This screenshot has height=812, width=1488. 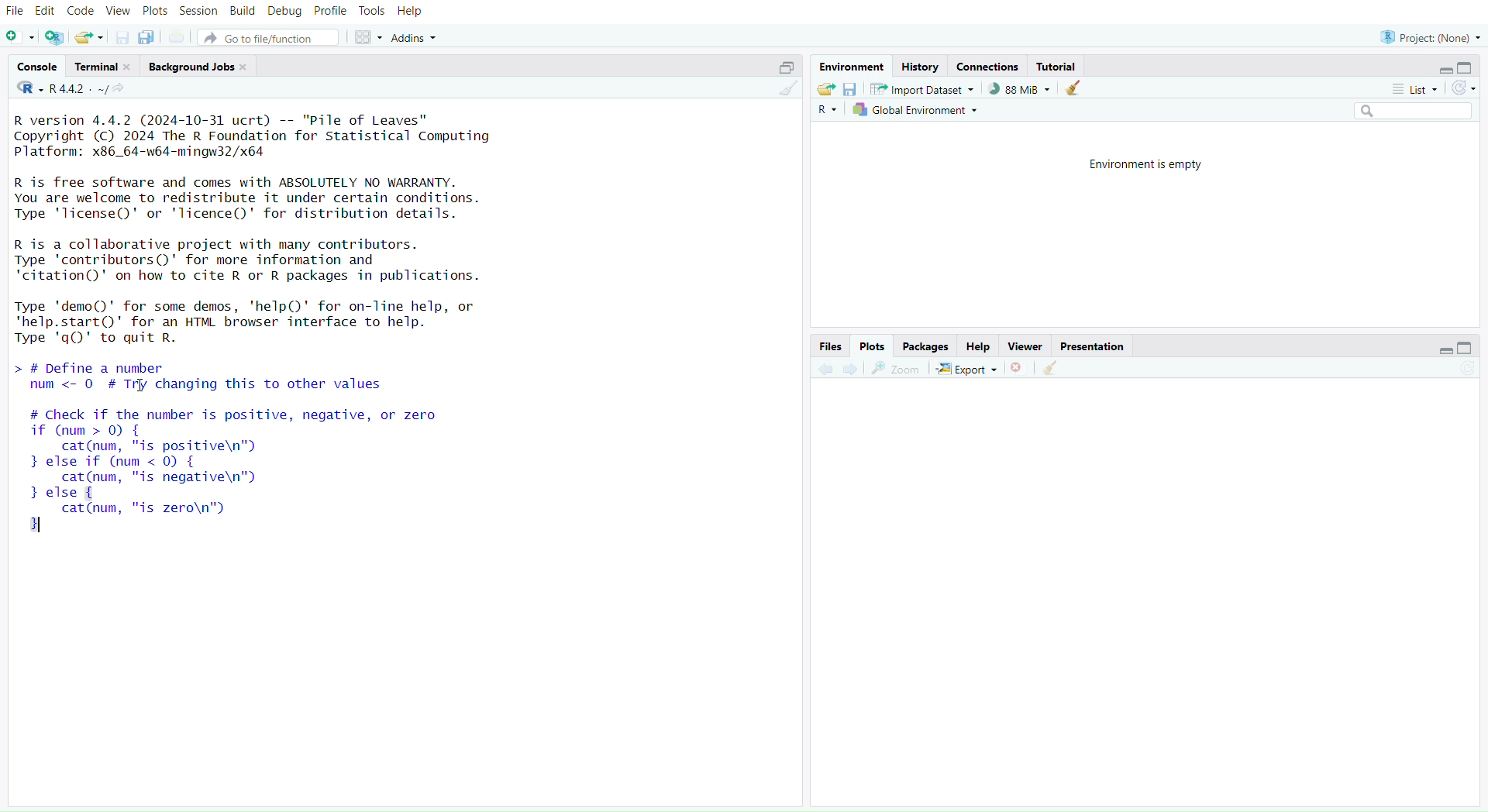 I want to click on history, so click(x=920, y=67).